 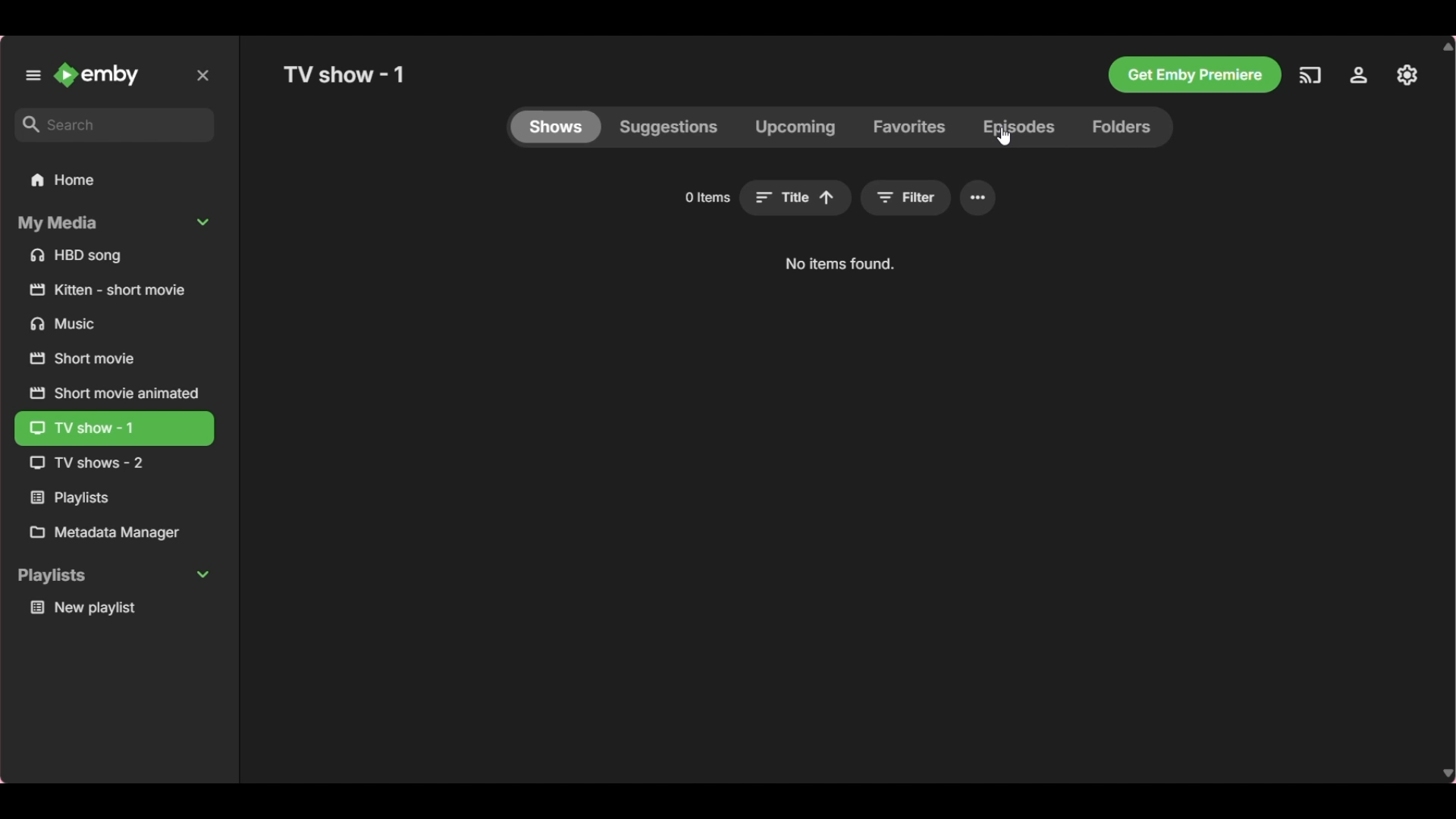 I want to click on Collapse My media, so click(x=113, y=224).